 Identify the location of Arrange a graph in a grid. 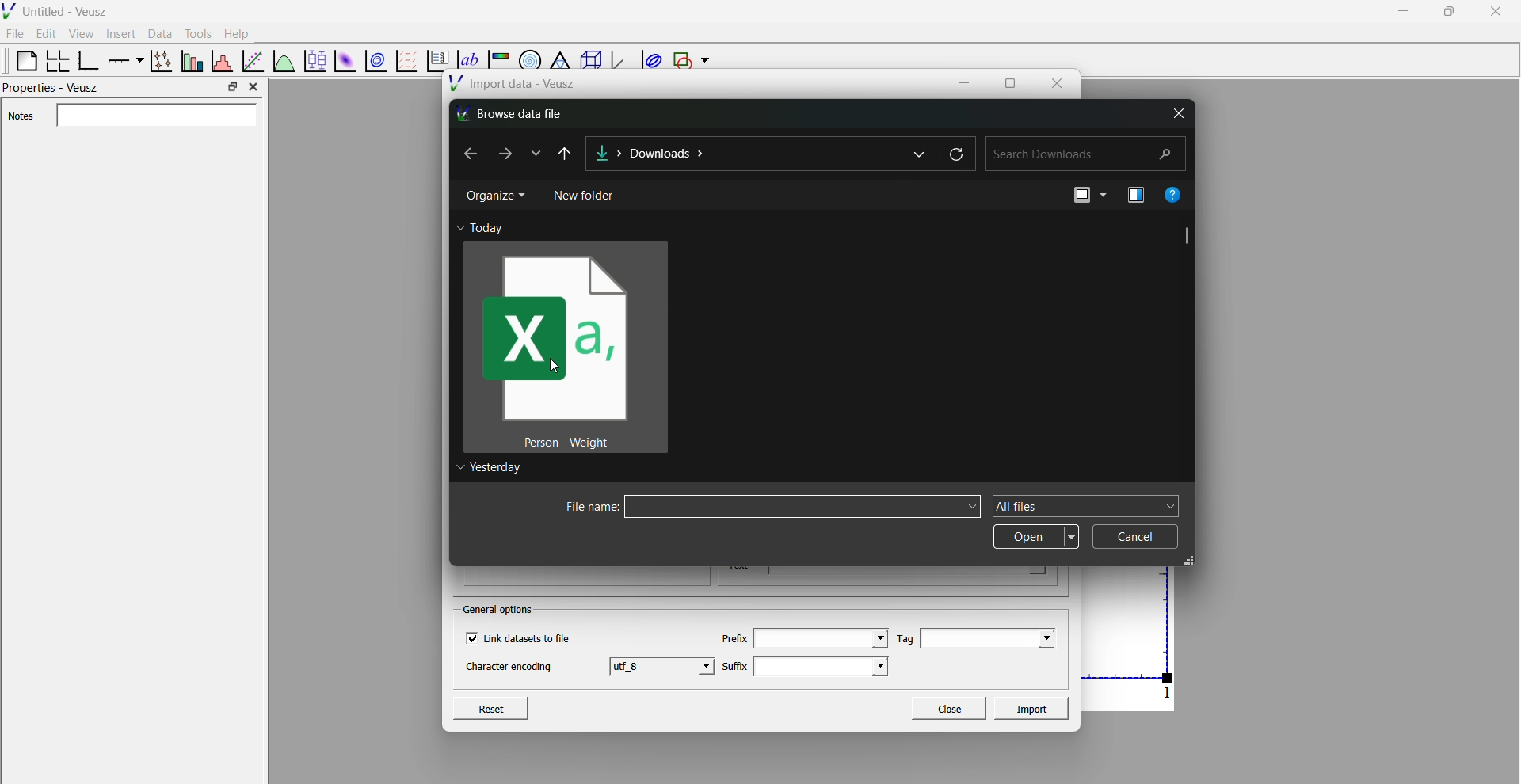
(56, 62).